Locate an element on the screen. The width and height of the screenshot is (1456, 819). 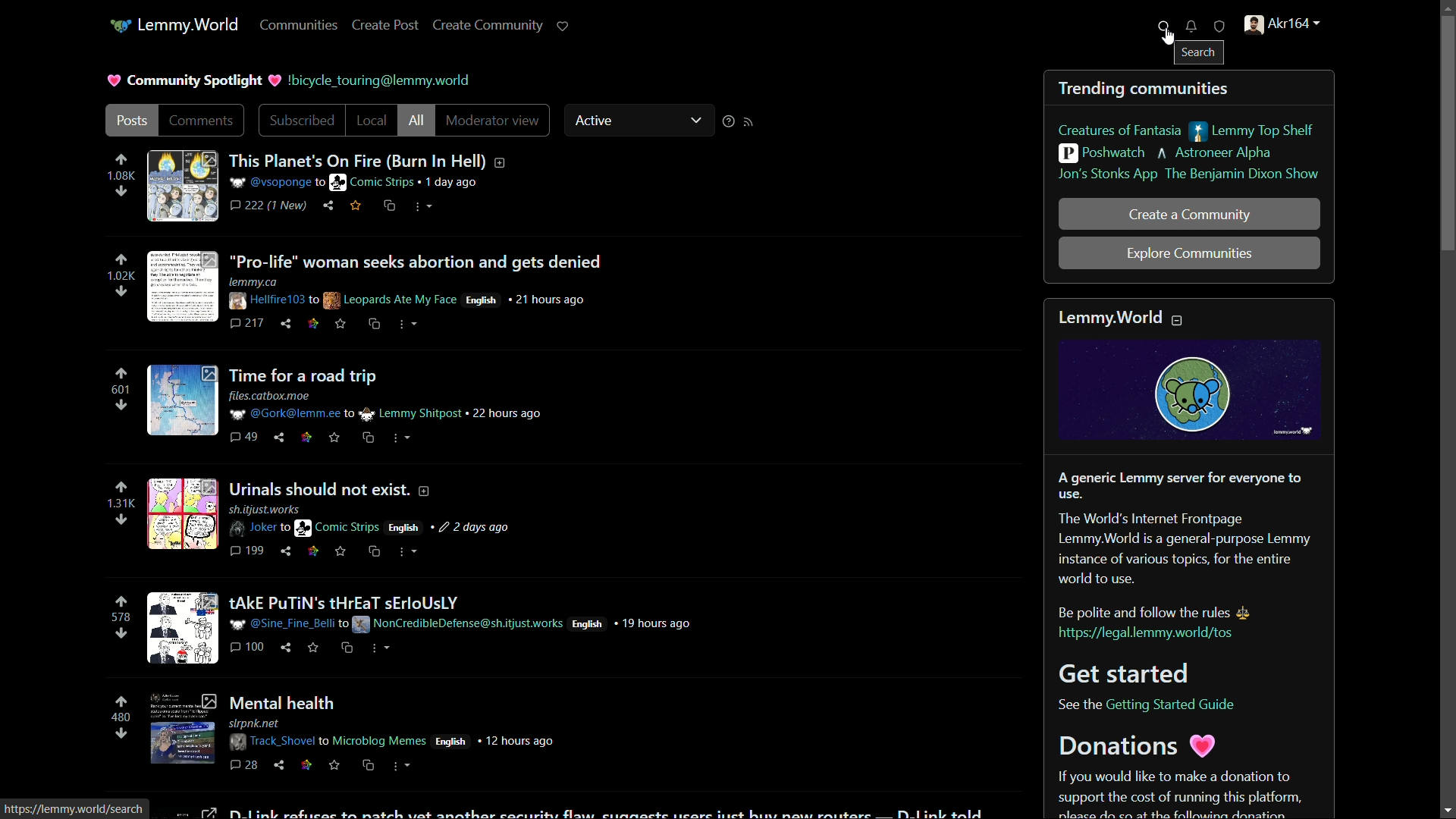
server name is located at coordinates (188, 24).